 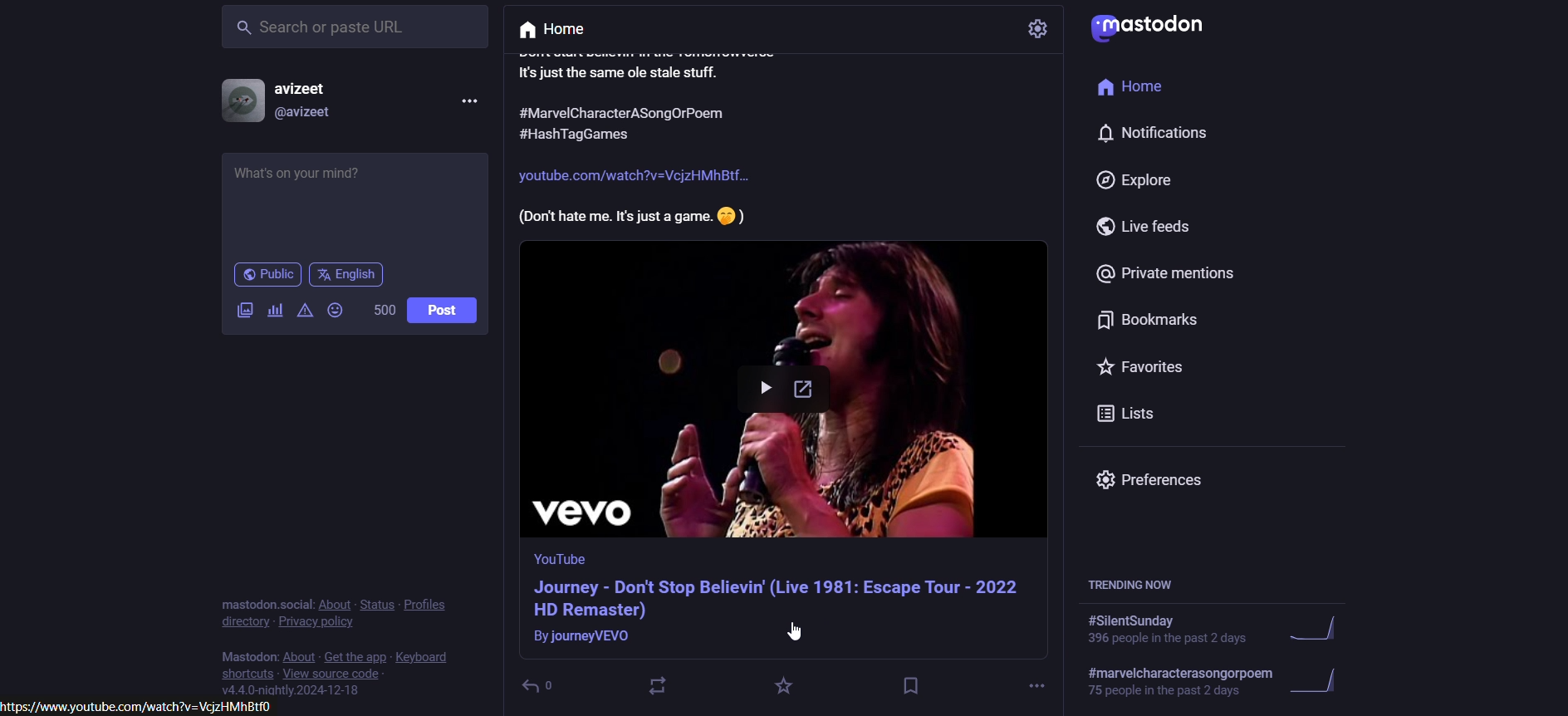 I want to click on privacy polivy, so click(x=322, y=622).